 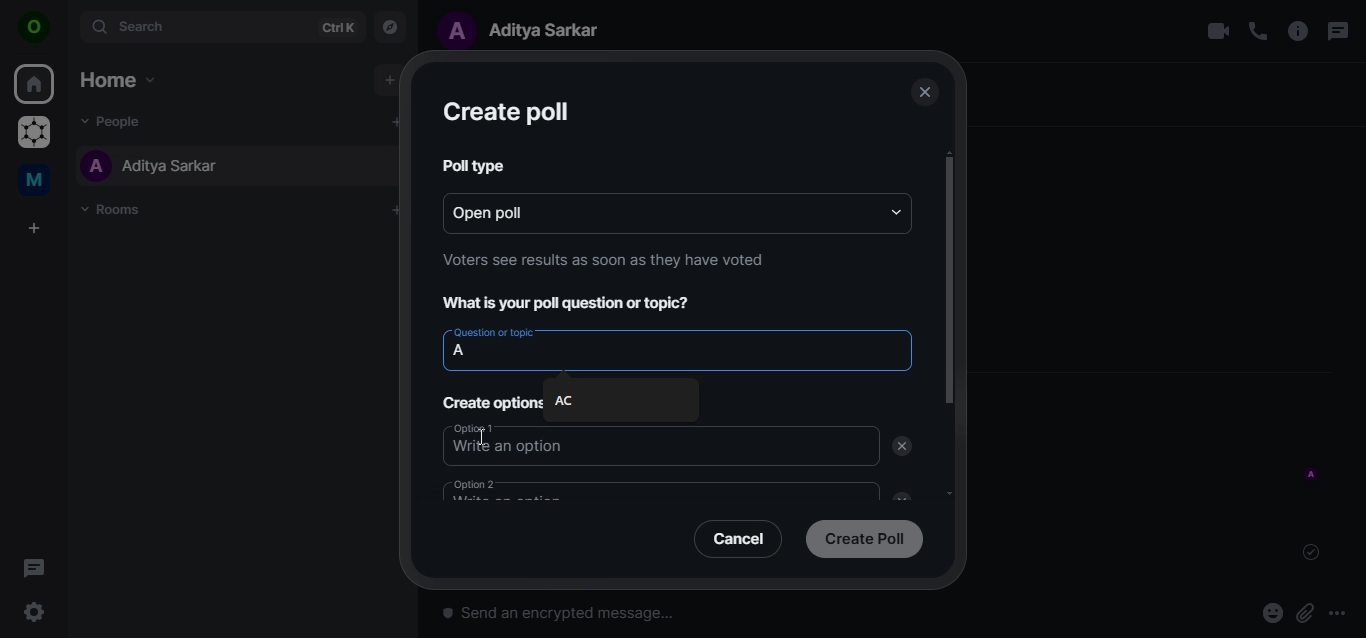 What do you see at coordinates (117, 210) in the screenshot?
I see `rooms` at bounding box center [117, 210].